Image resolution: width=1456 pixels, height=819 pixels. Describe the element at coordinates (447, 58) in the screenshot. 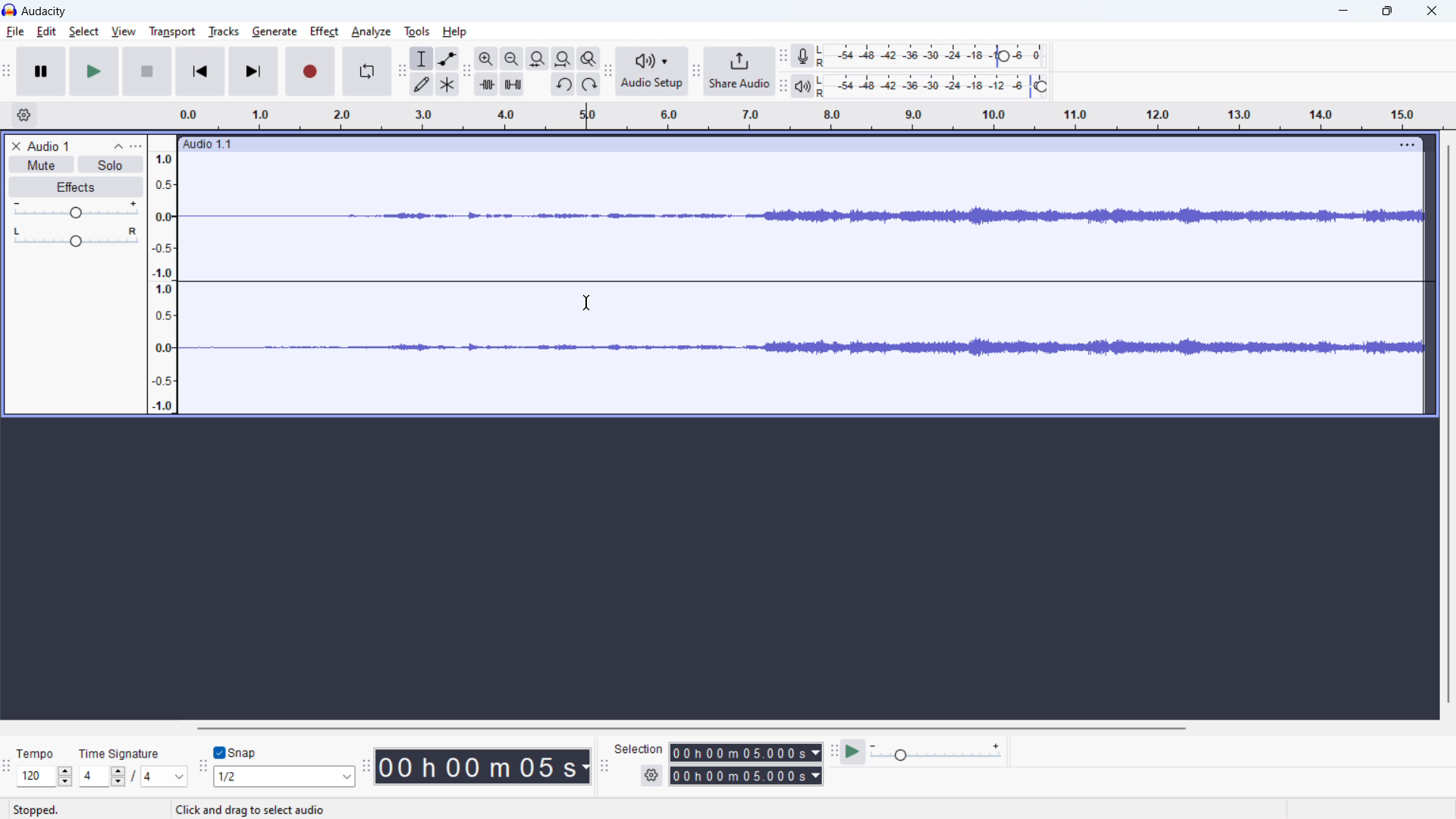

I see `envelop tool` at that location.